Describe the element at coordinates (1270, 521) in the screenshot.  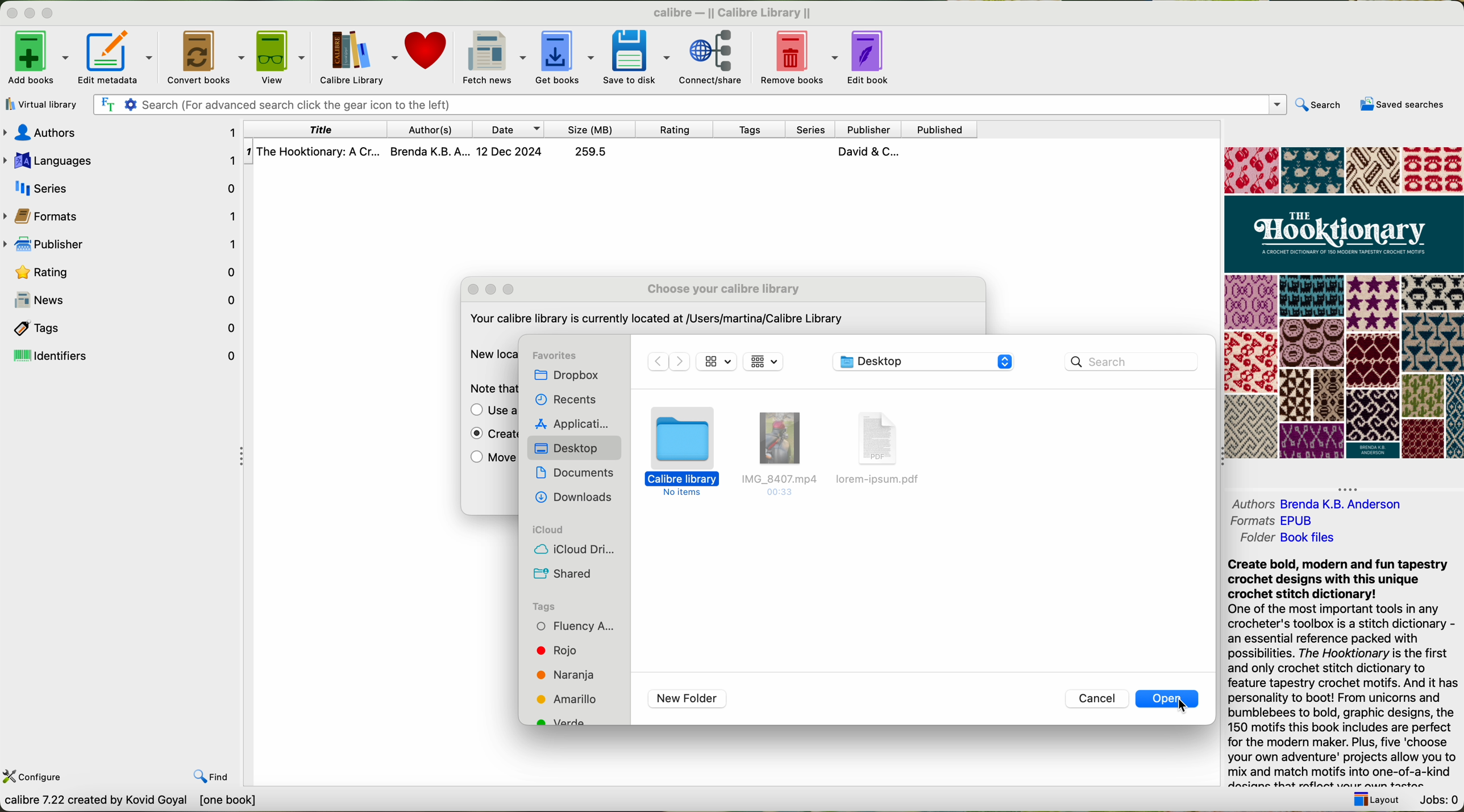
I see `formats EPUB` at that location.